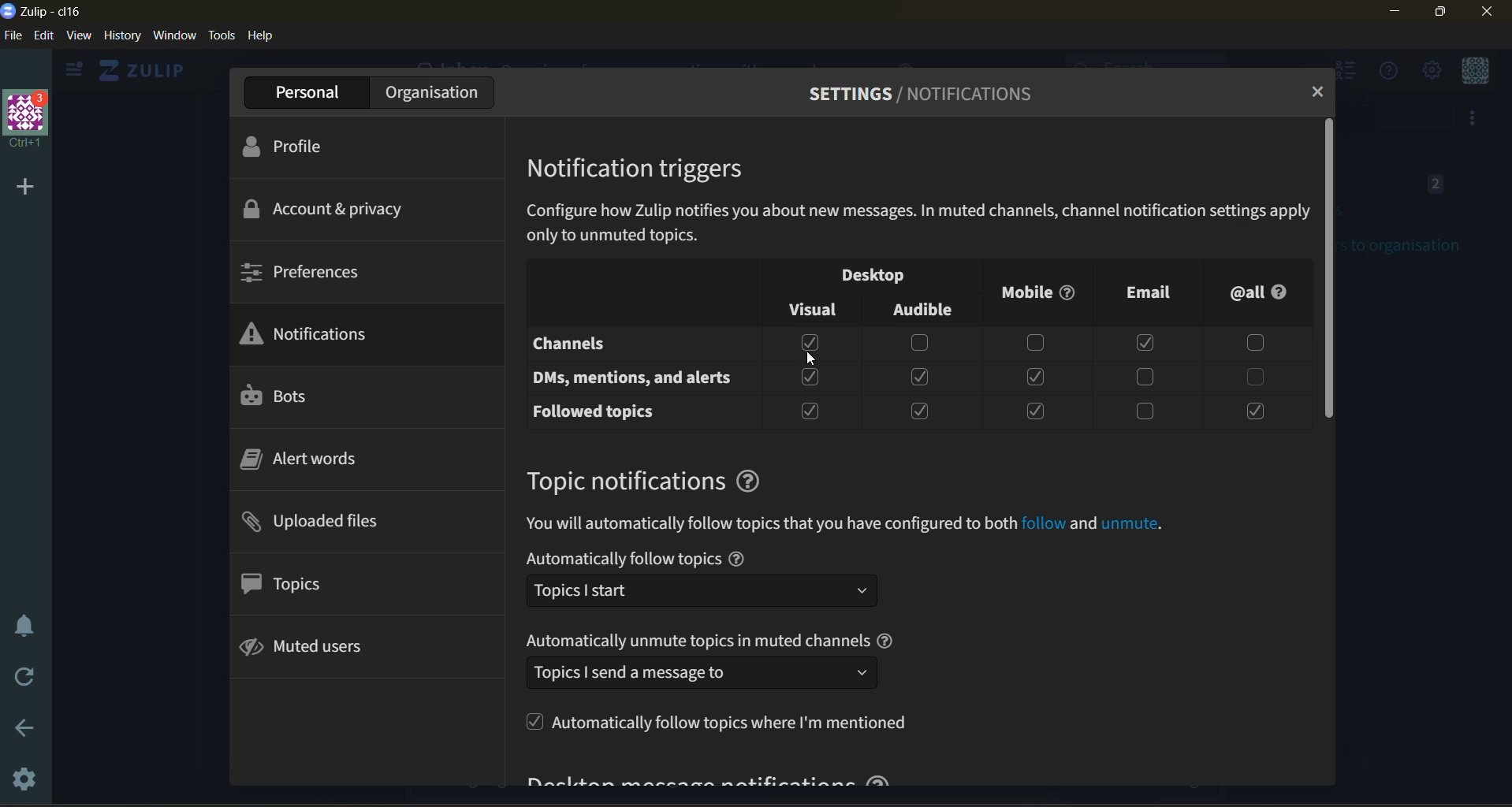  Describe the element at coordinates (922, 413) in the screenshot. I see `checkbox` at that location.